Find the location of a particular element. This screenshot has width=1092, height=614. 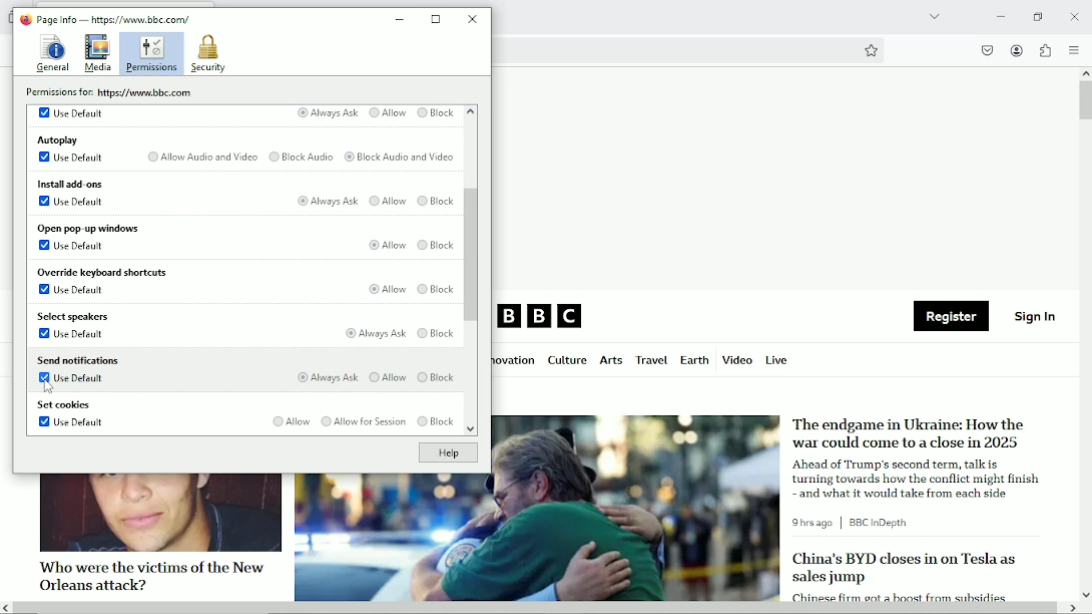

Vertical scrollbar is located at coordinates (473, 255).